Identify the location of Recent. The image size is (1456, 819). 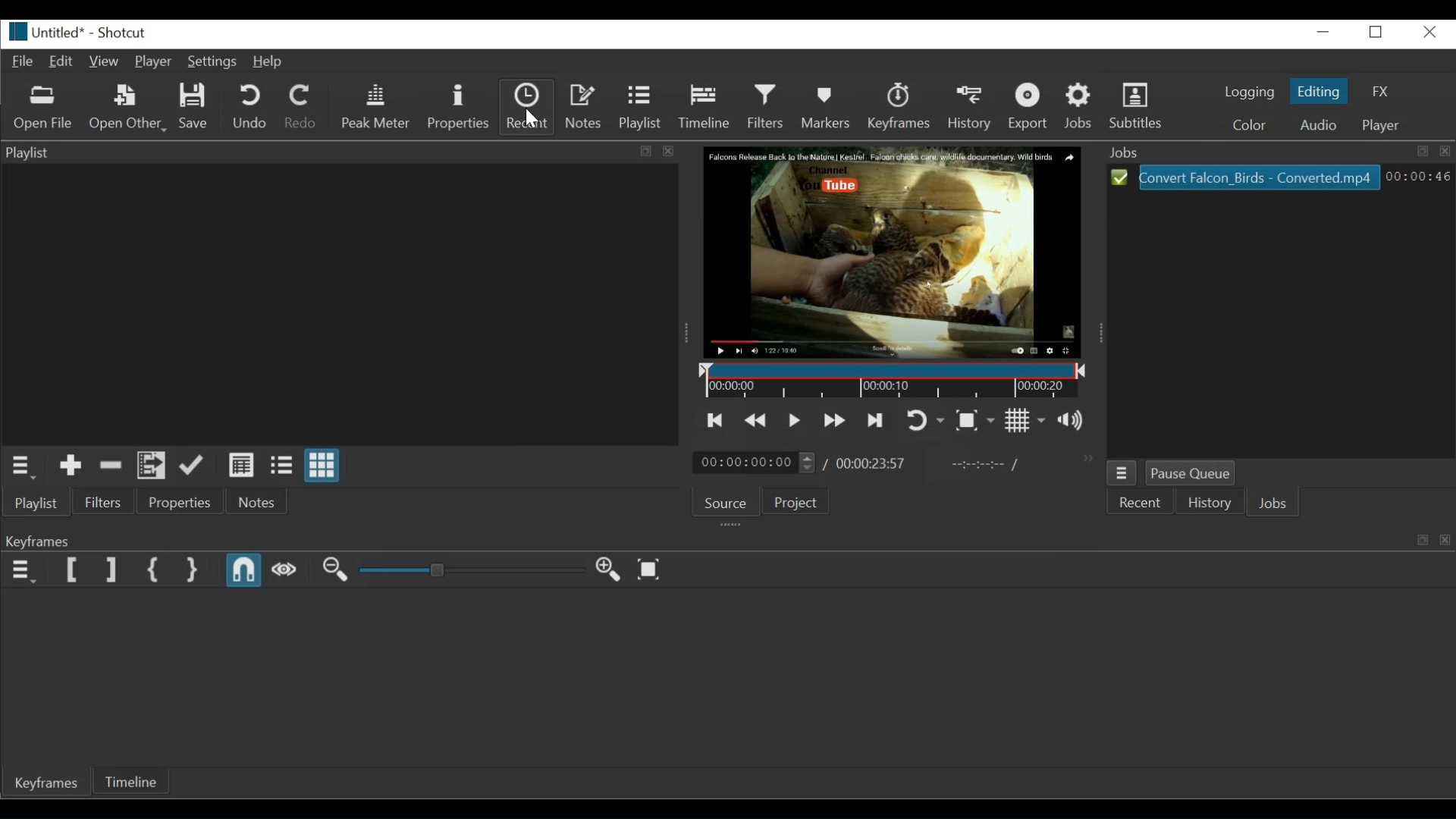
(1144, 504).